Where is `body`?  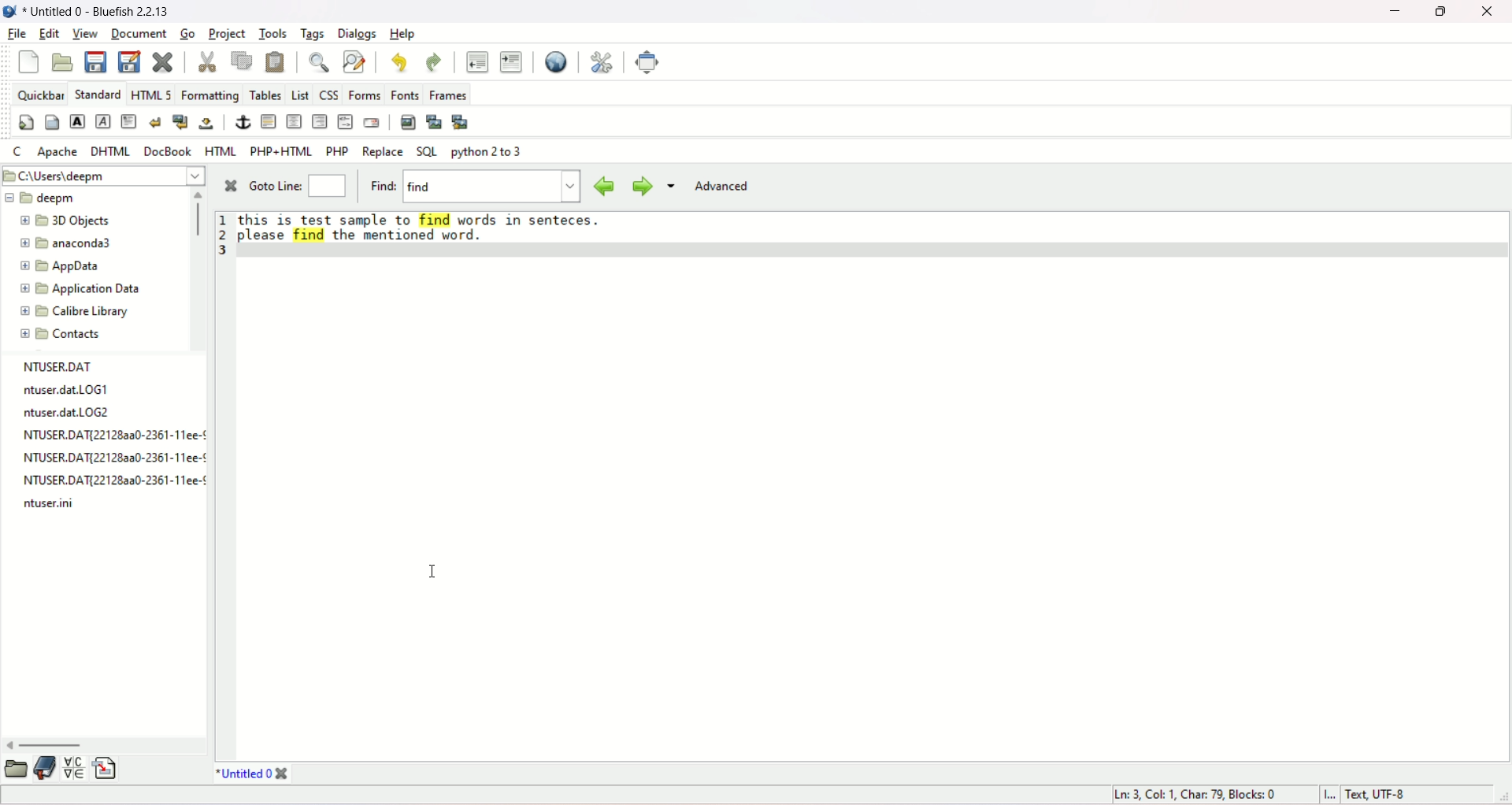
body is located at coordinates (51, 122).